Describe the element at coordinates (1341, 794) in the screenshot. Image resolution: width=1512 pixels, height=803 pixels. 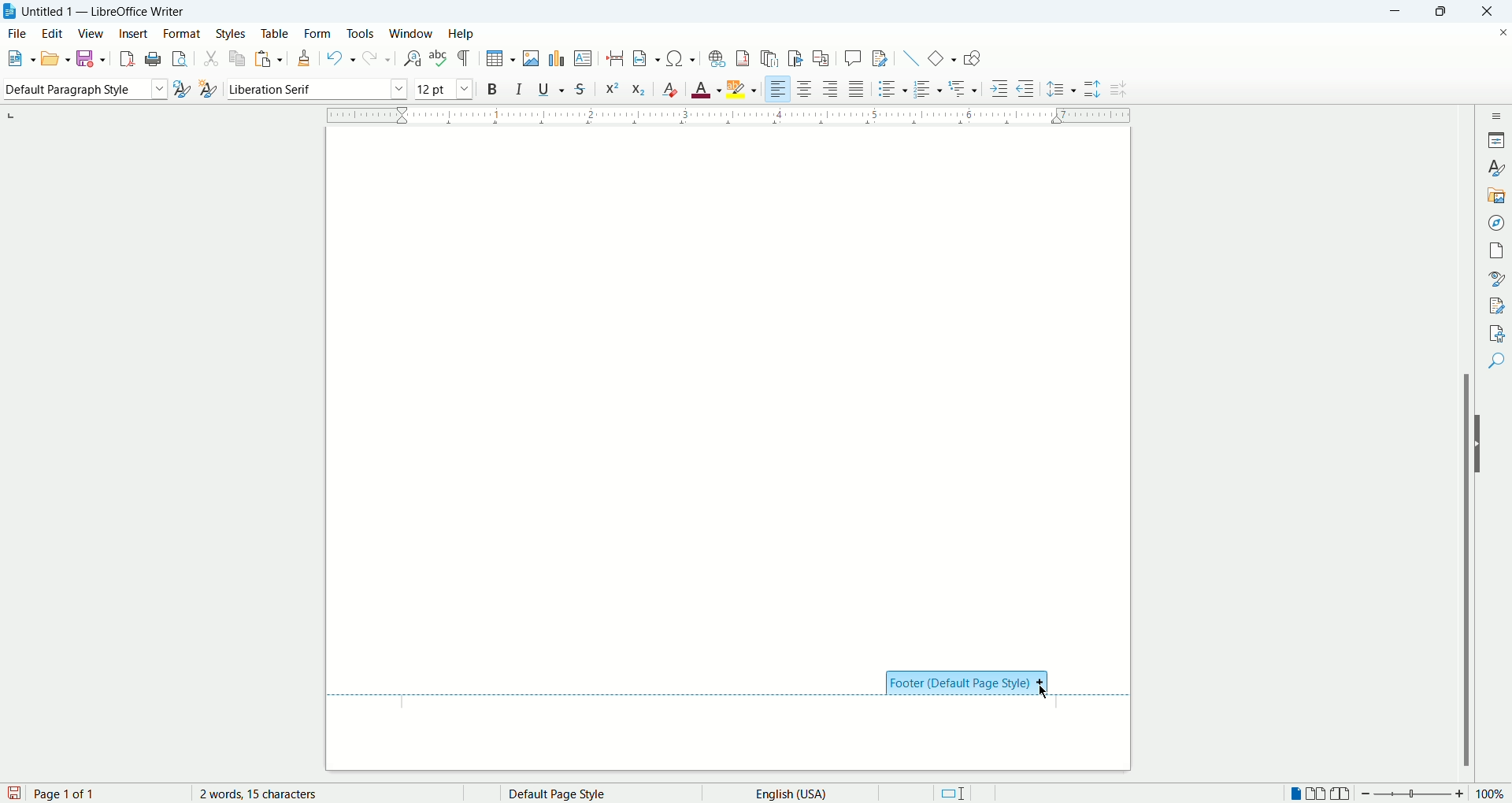
I see `book view` at that location.